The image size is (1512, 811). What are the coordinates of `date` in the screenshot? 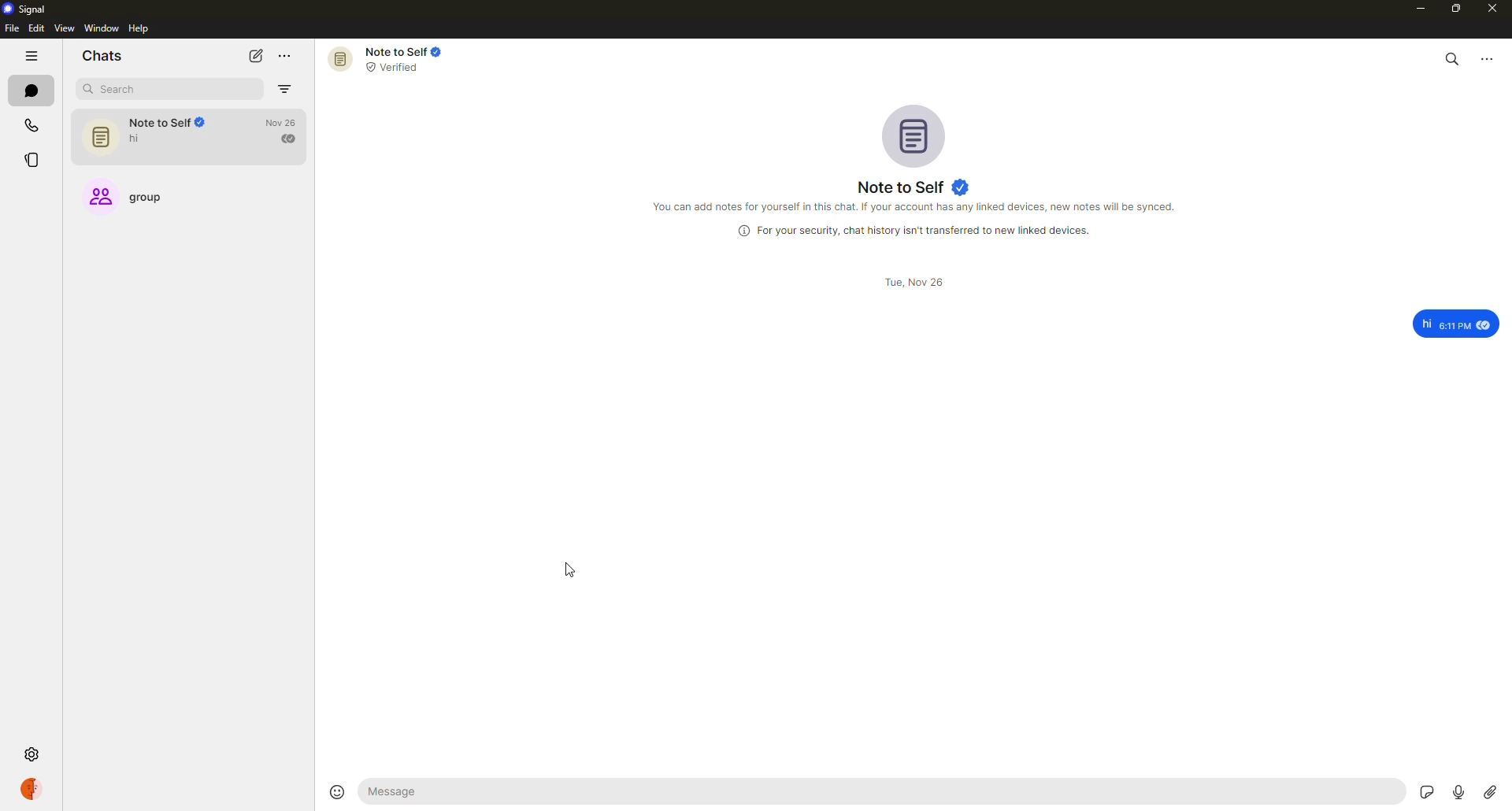 It's located at (917, 282).